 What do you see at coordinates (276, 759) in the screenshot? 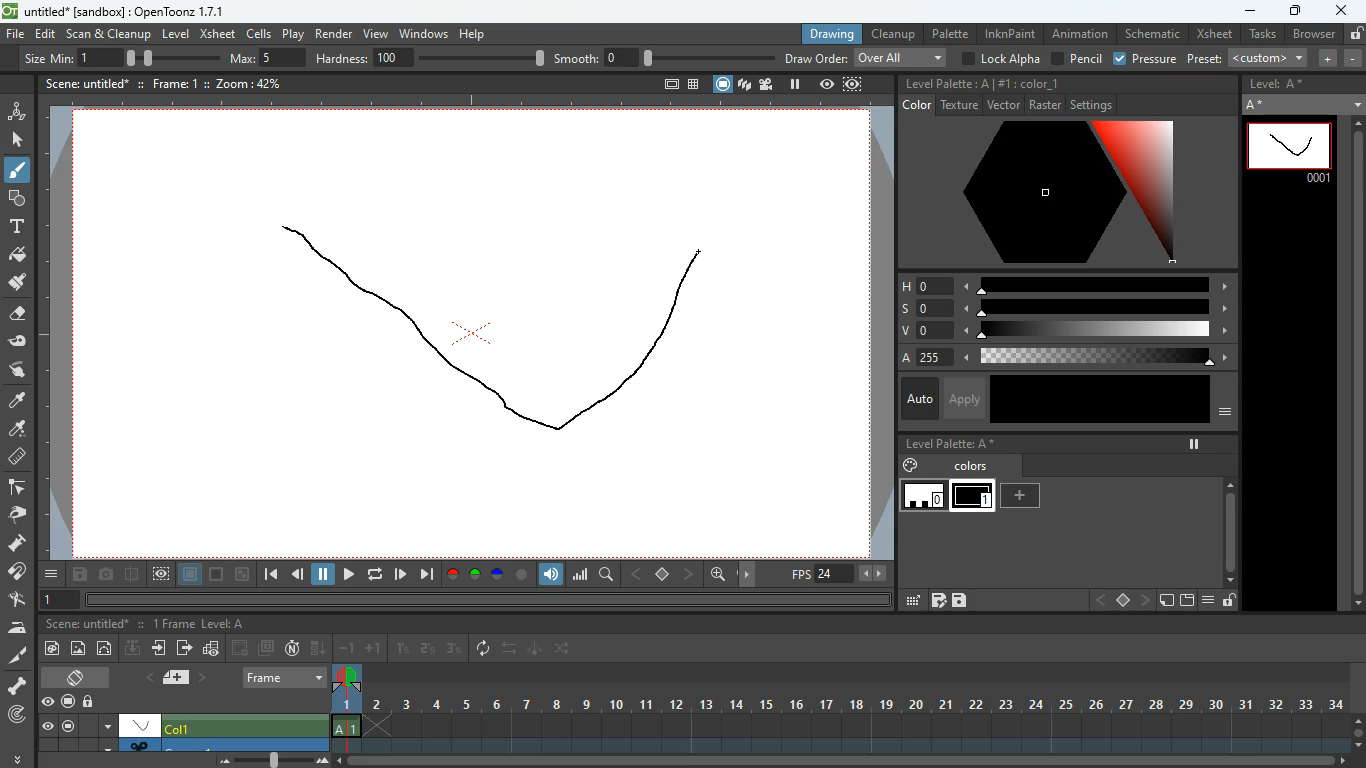
I see `image` at bounding box center [276, 759].